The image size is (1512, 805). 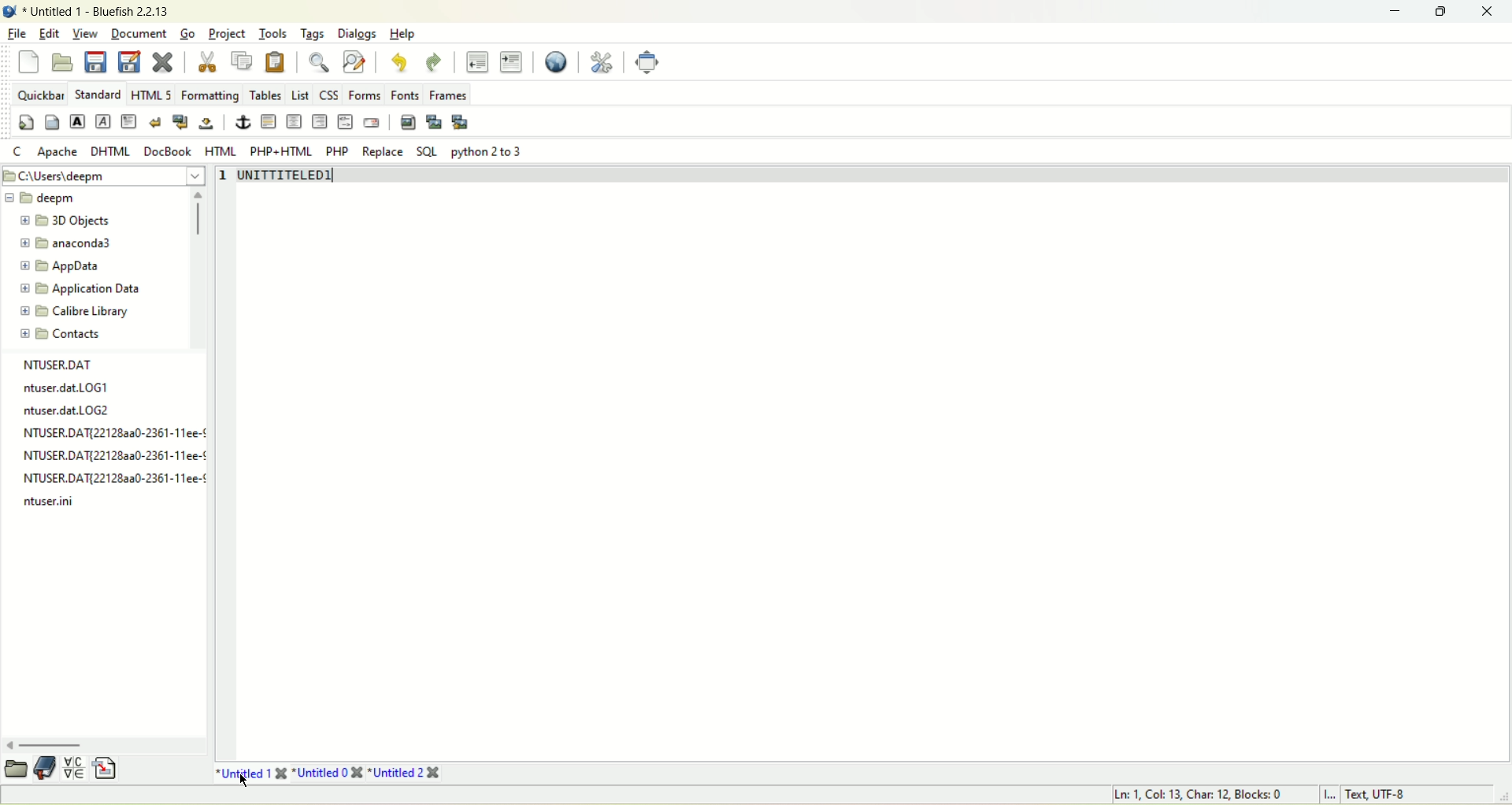 What do you see at coordinates (461, 121) in the screenshot?
I see `multi-thumbnail` at bounding box center [461, 121].